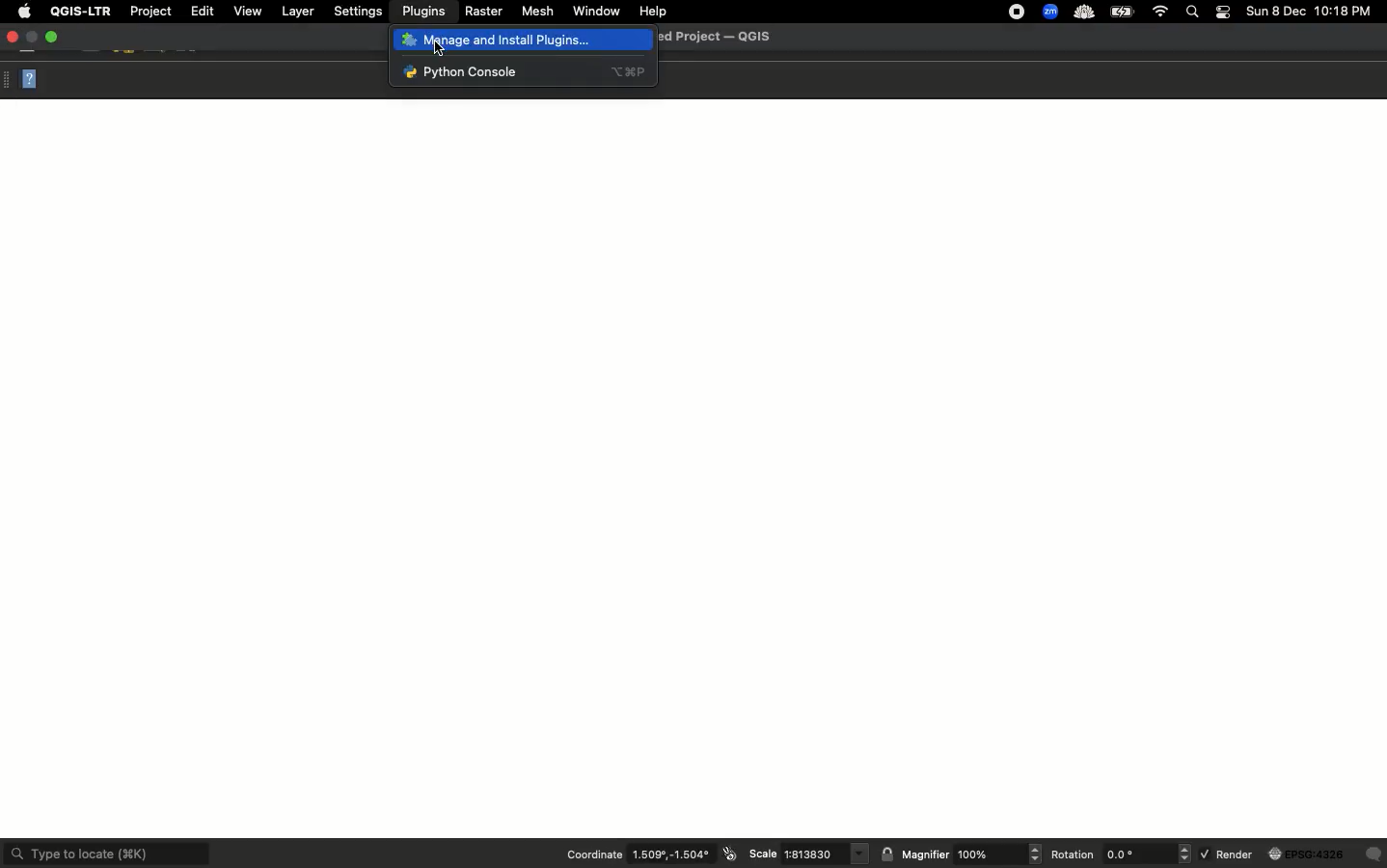 Image resolution: width=1387 pixels, height=868 pixels. Describe the element at coordinates (53, 37) in the screenshot. I see `Maximize` at that location.